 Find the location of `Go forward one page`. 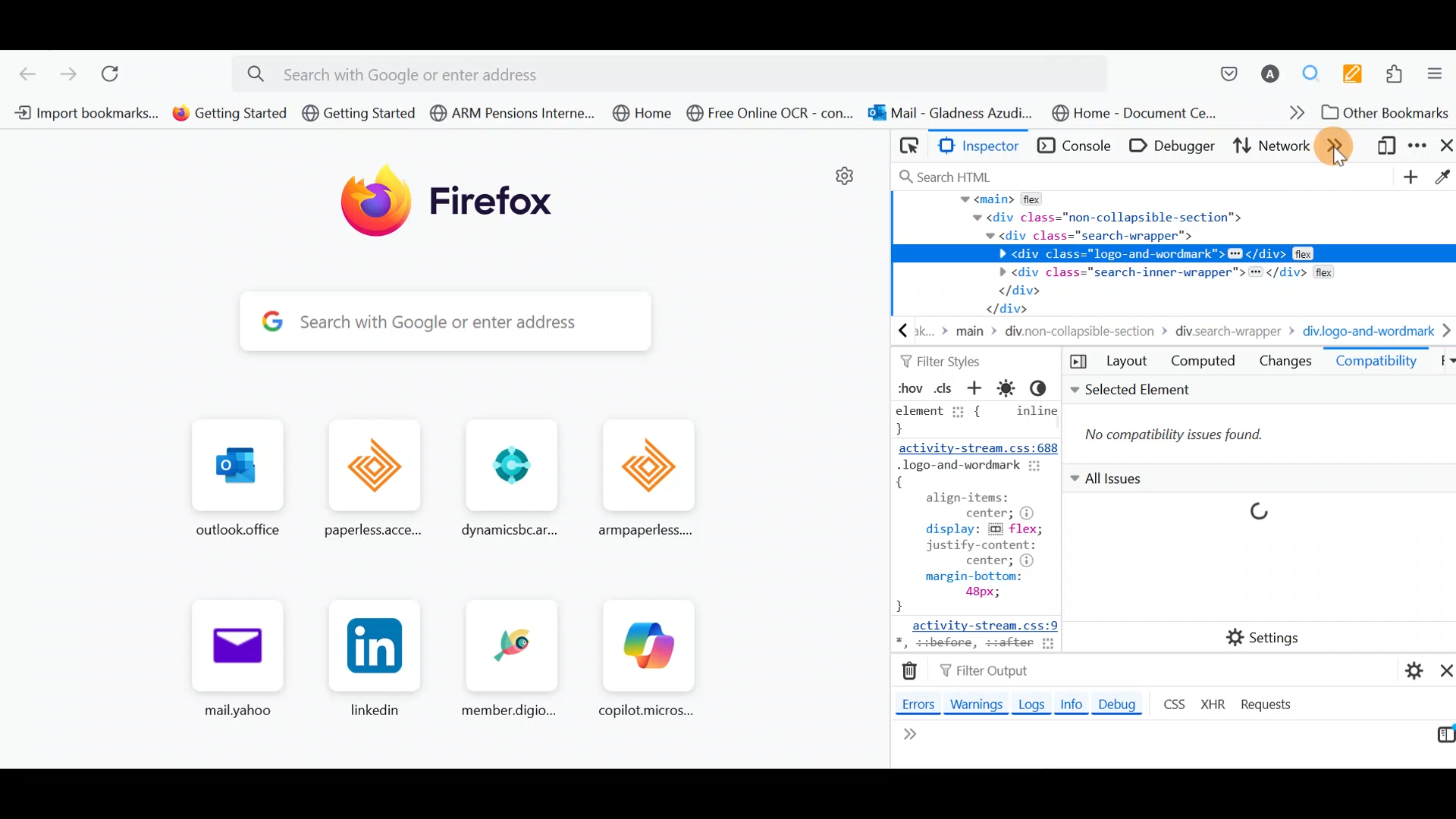

Go forward one page is located at coordinates (67, 74).